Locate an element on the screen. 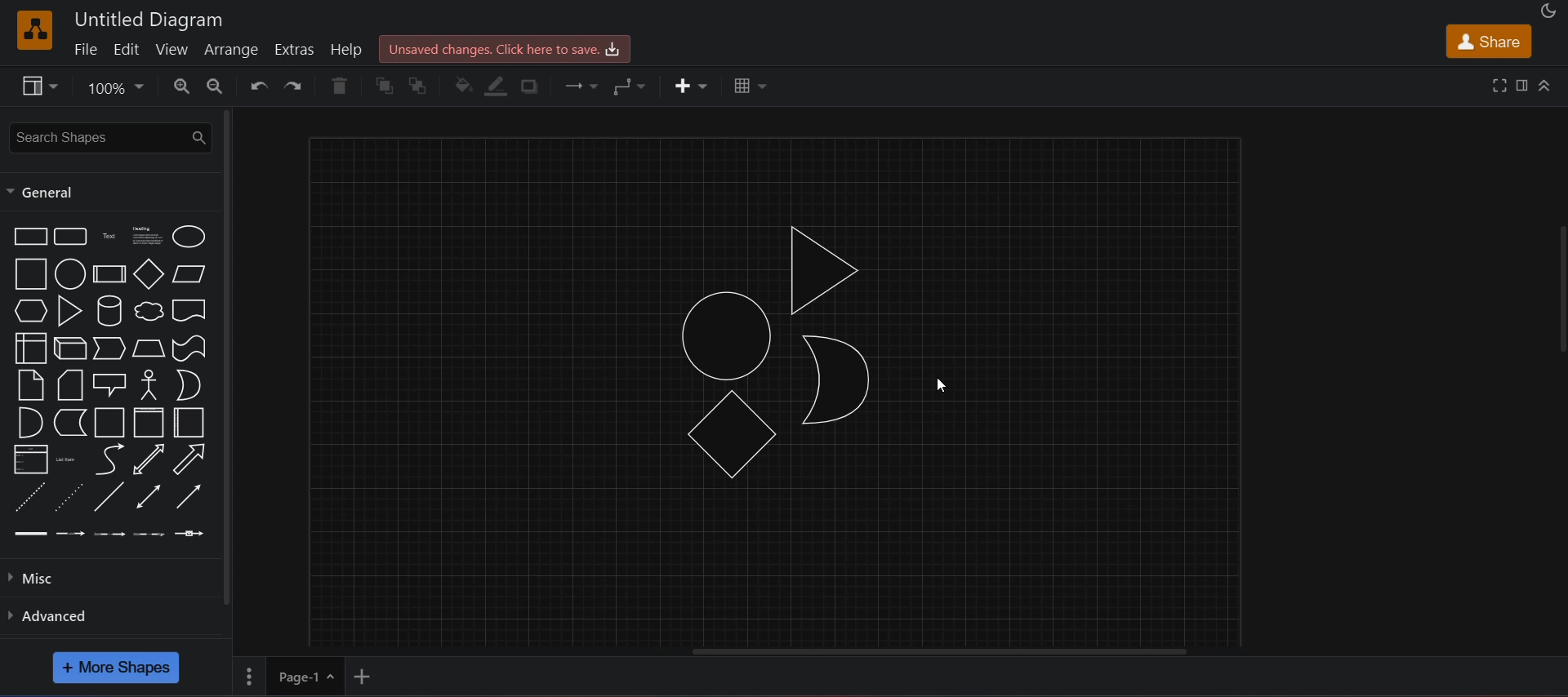 The width and height of the screenshot is (1568, 697). format is located at coordinates (1522, 85).